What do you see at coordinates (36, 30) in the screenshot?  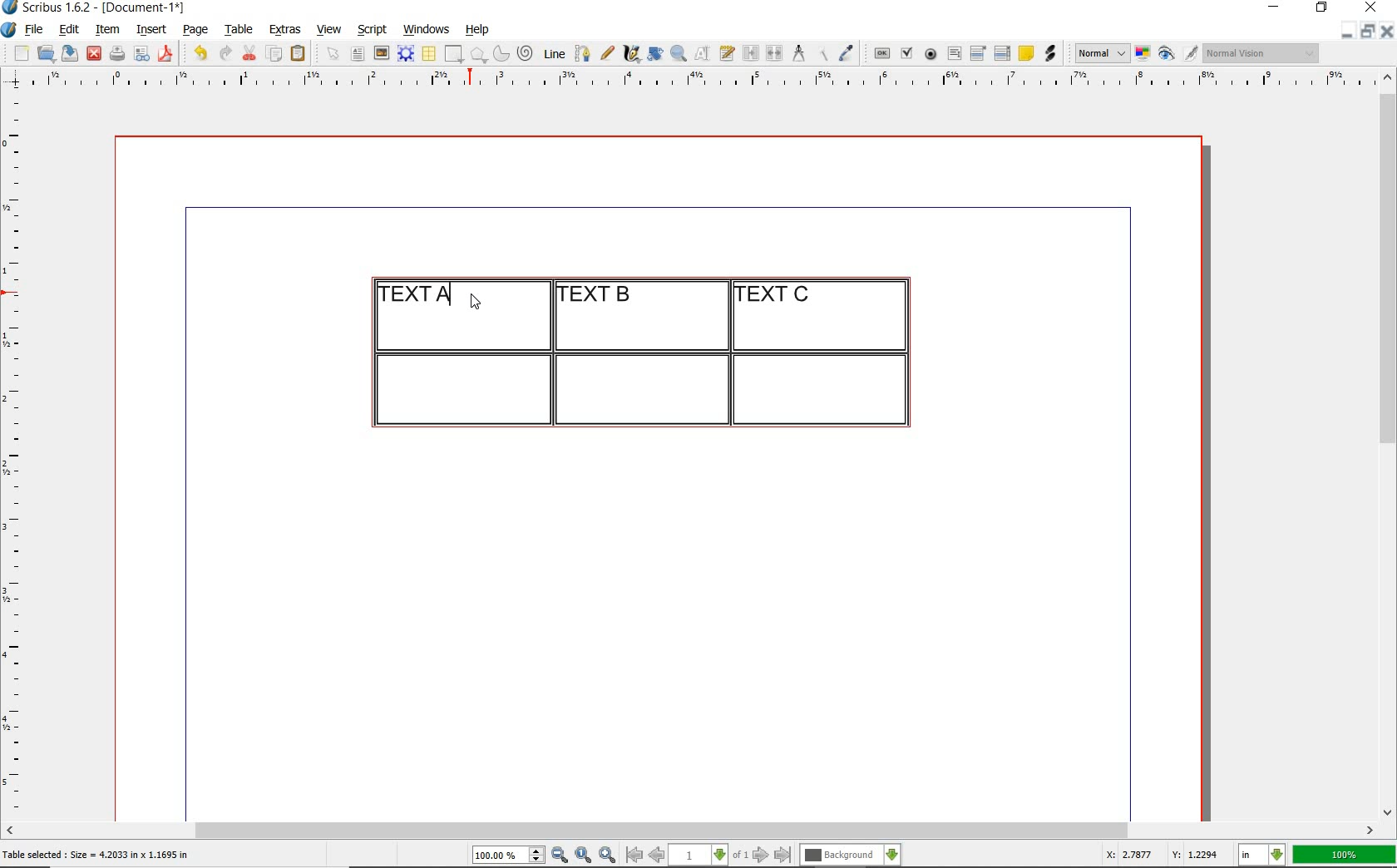 I see `file` at bounding box center [36, 30].